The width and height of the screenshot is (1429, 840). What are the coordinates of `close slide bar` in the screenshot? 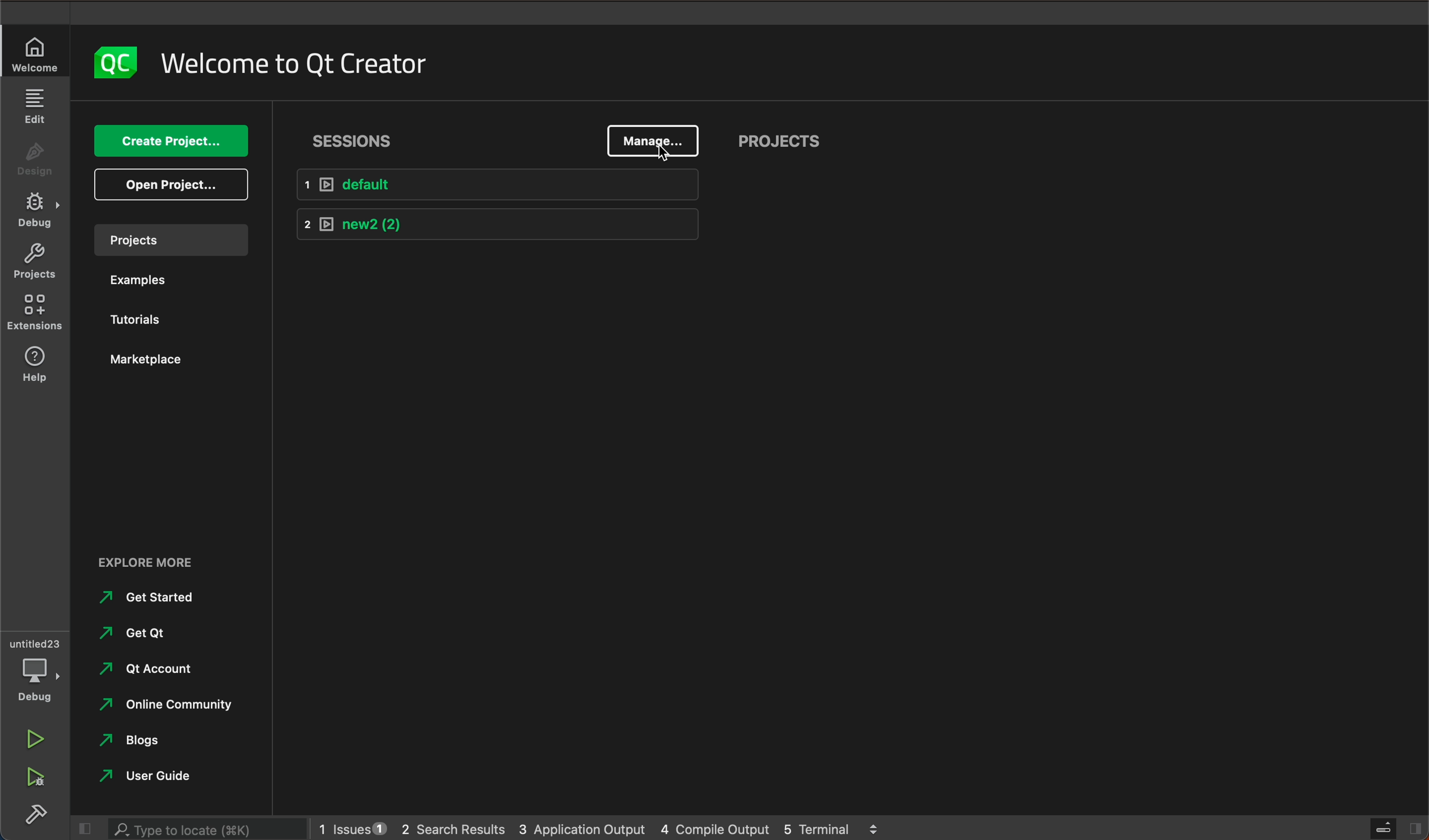 It's located at (82, 827).